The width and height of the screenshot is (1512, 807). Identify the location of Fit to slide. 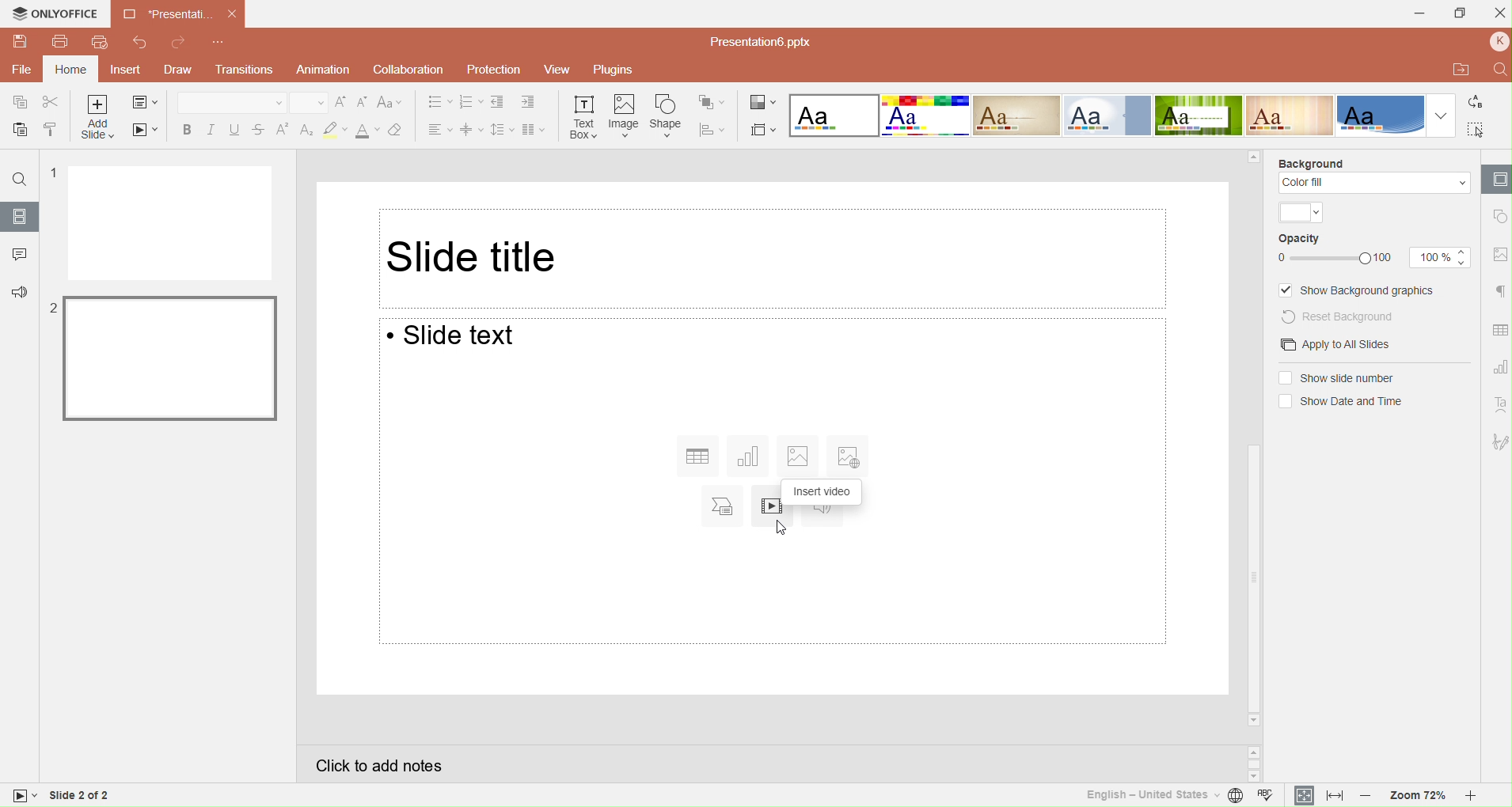
(1303, 795).